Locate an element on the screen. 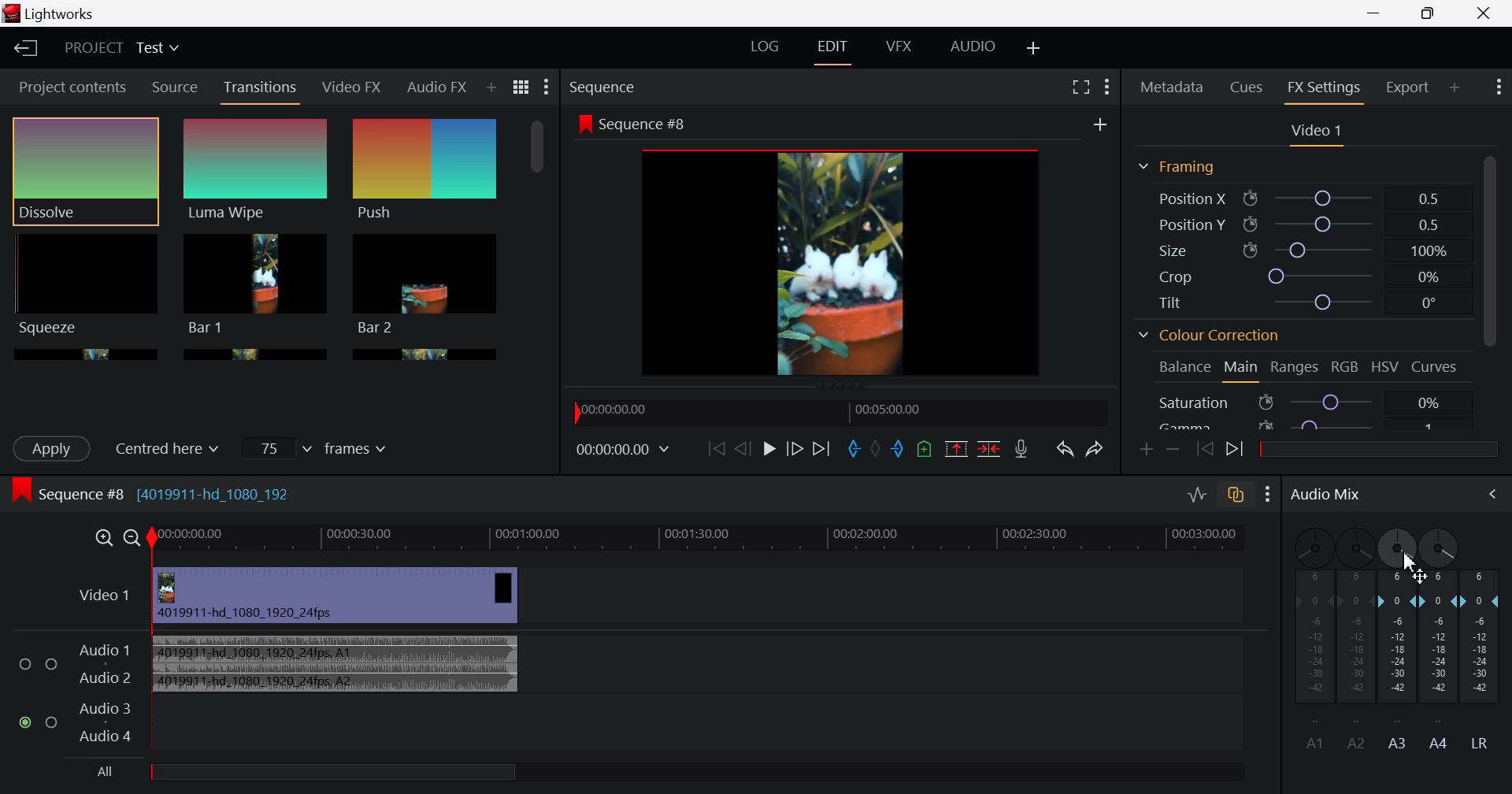 The width and height of the screenshot is (1512, 794). Go Forward is located at coordinates (795, 448).